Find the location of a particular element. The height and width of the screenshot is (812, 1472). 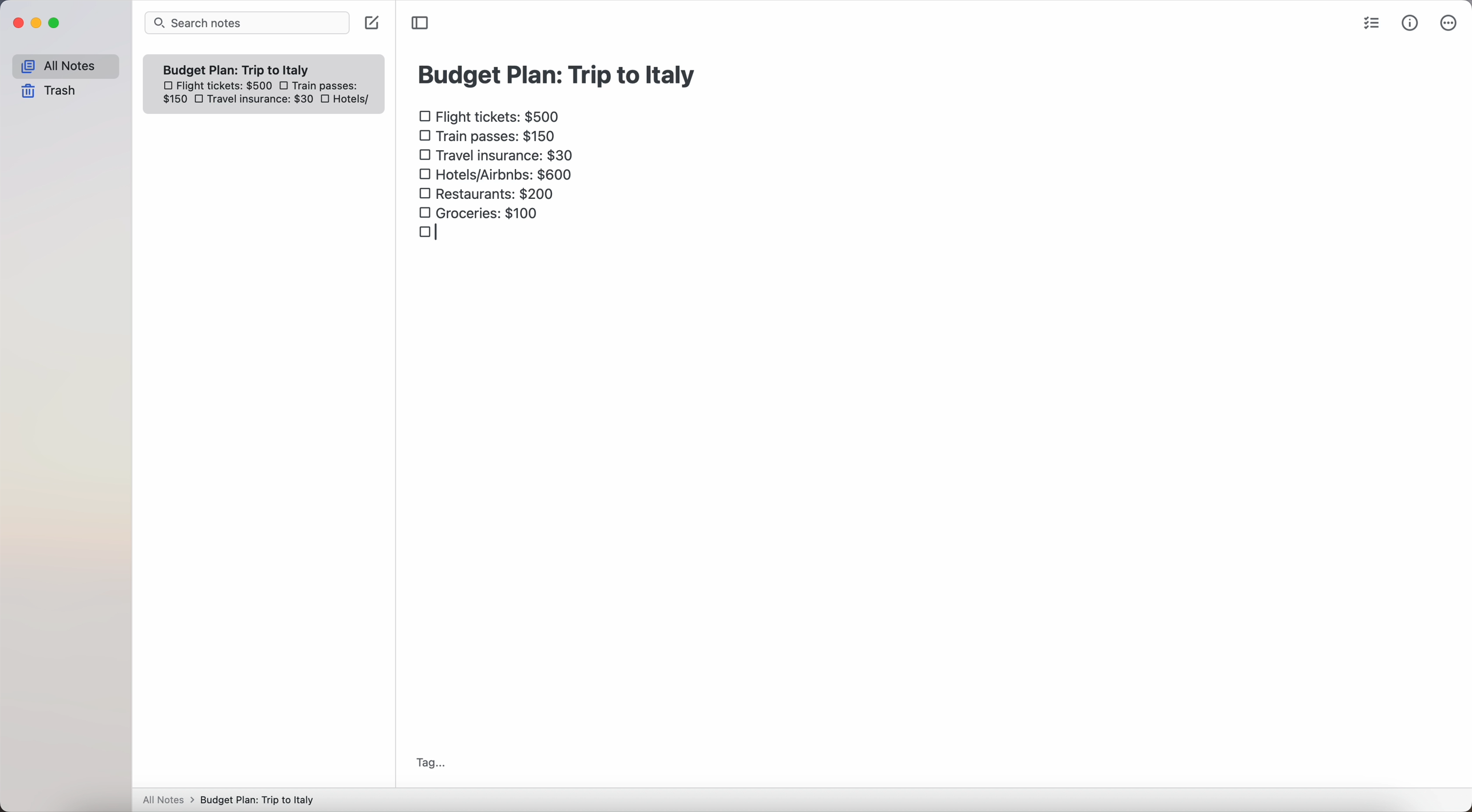

search bar is located at coordinates (247, 23).